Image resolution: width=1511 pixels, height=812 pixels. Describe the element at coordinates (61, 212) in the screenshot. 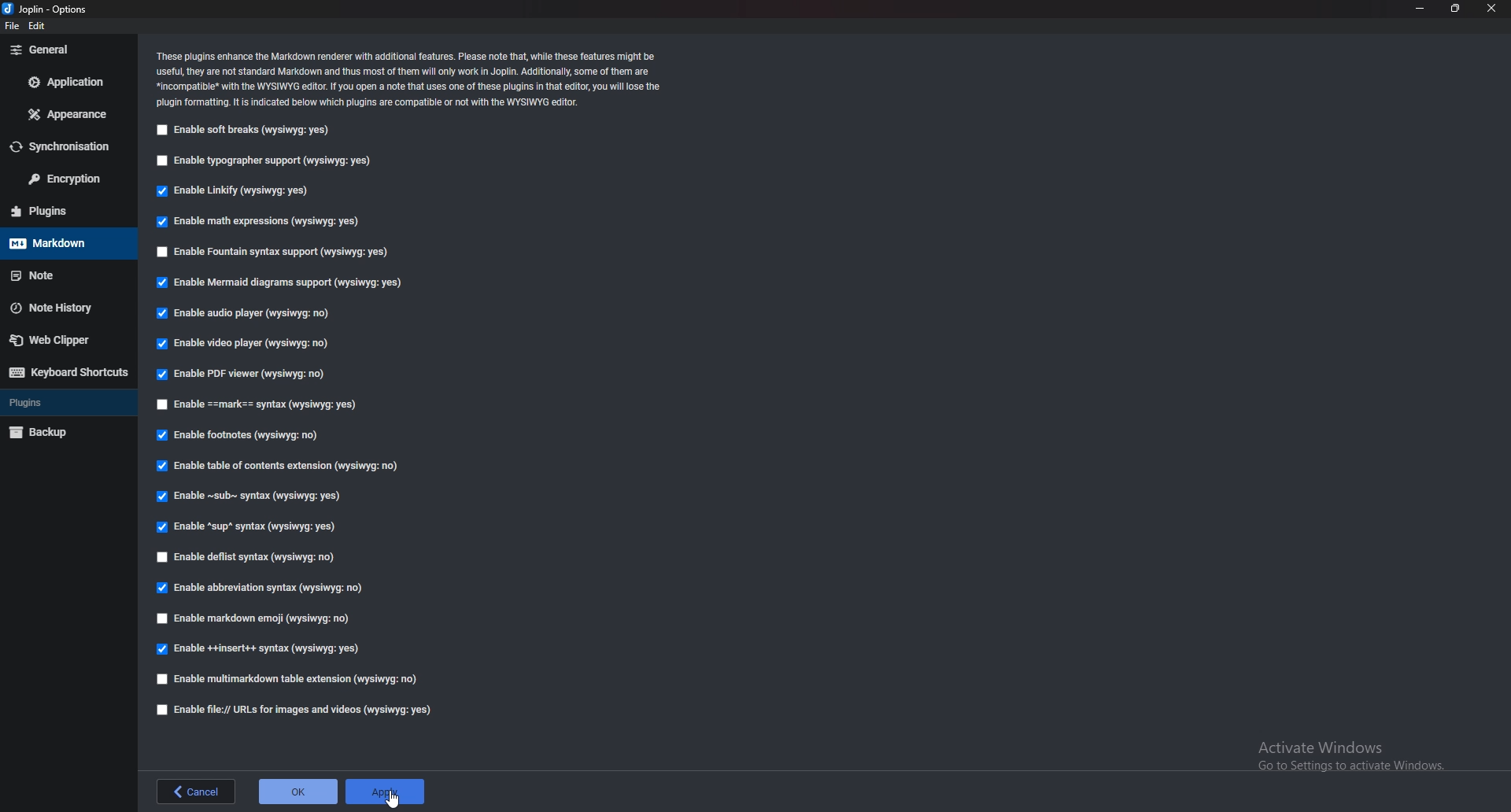

I see `Plugins` at that location.